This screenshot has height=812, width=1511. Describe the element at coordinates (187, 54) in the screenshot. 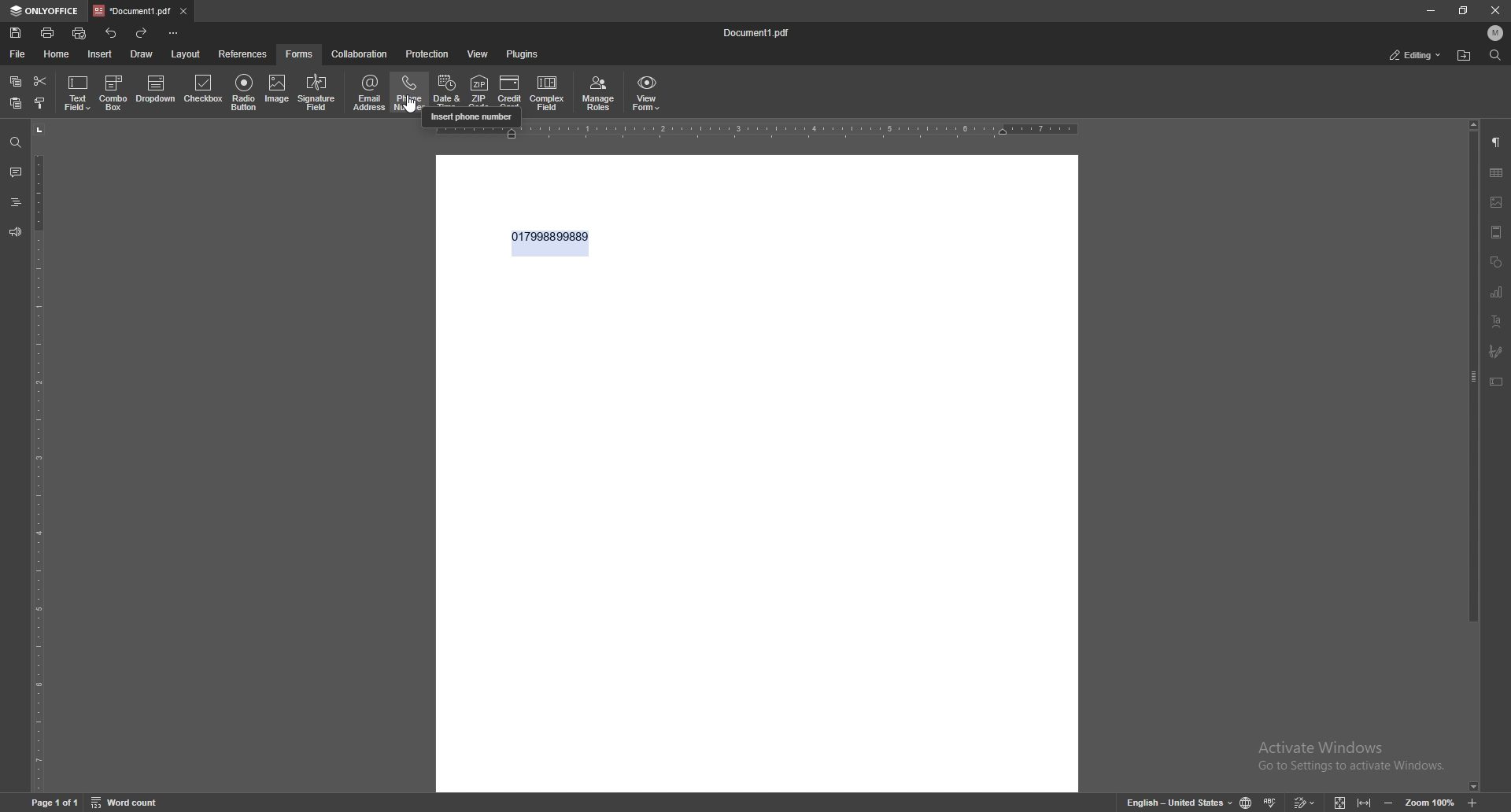

I see `layout` at that location.